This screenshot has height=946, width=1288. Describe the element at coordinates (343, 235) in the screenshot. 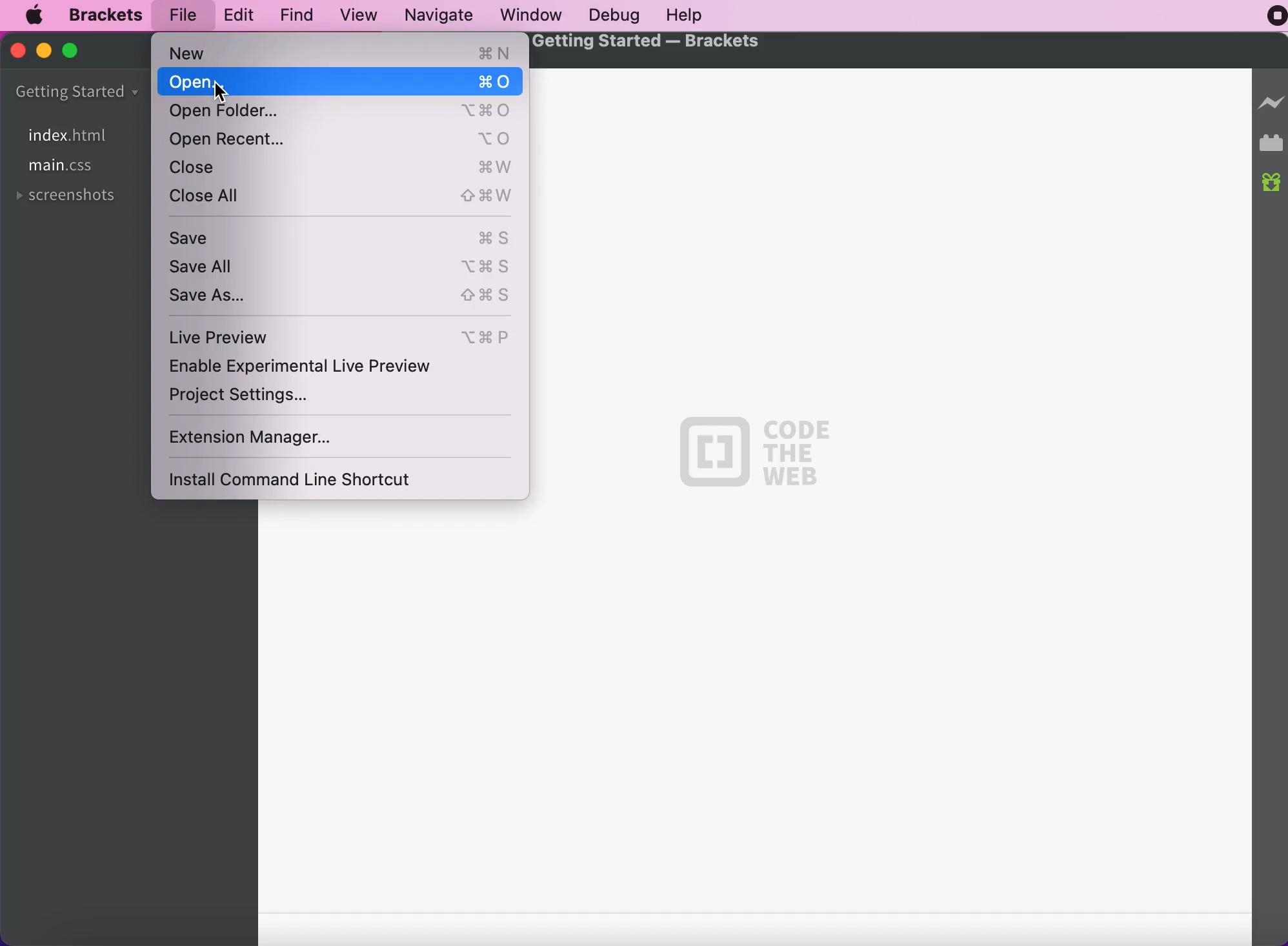

I see `save` at that location.